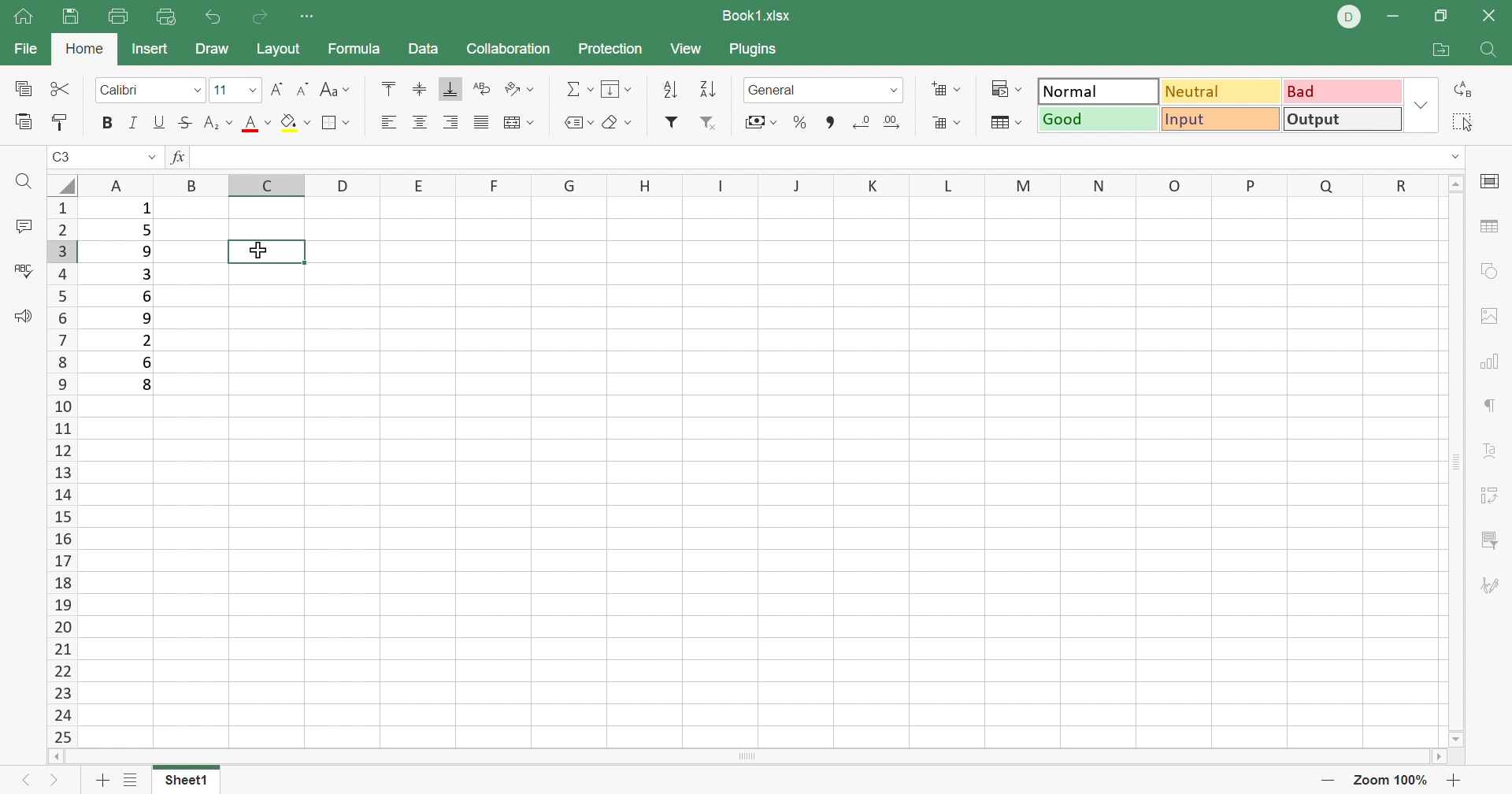 This screenshot has width=1512, height=794. I want to click on Redo, so click(258, 16).